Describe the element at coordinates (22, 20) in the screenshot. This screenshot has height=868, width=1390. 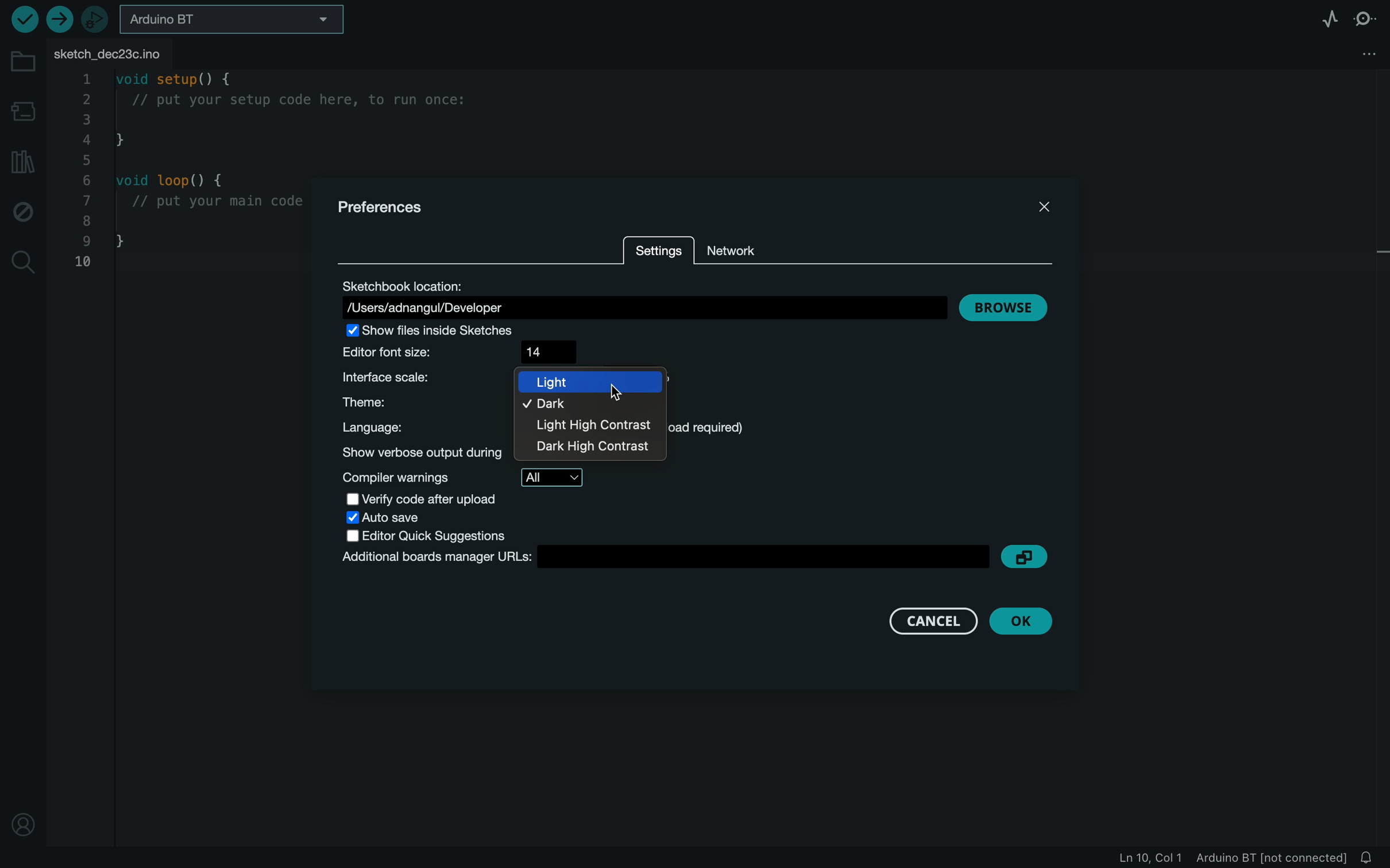
I see `verify` at that location.